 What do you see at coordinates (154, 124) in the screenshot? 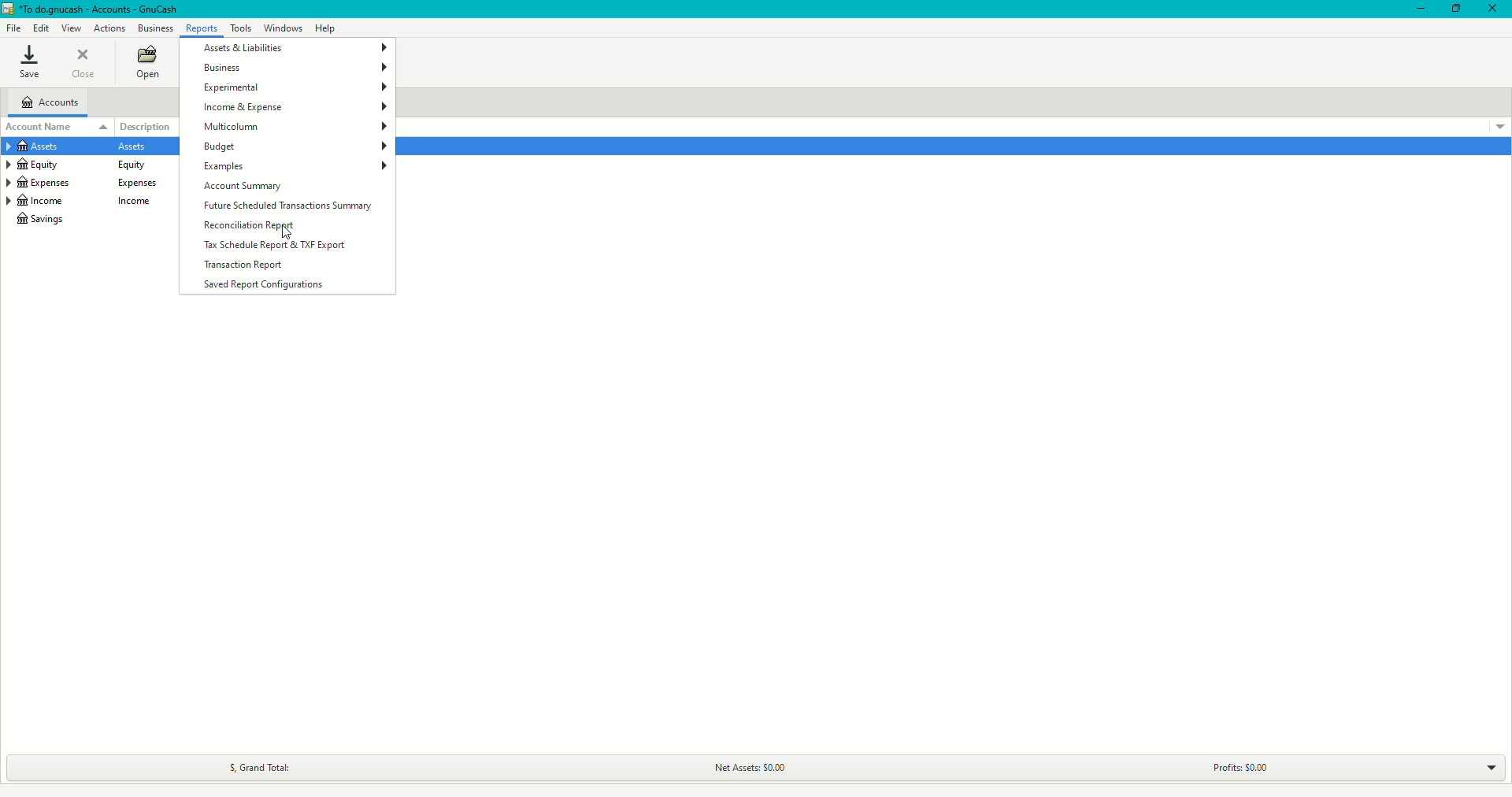
I see `Description` at bounding box center [154, 124].